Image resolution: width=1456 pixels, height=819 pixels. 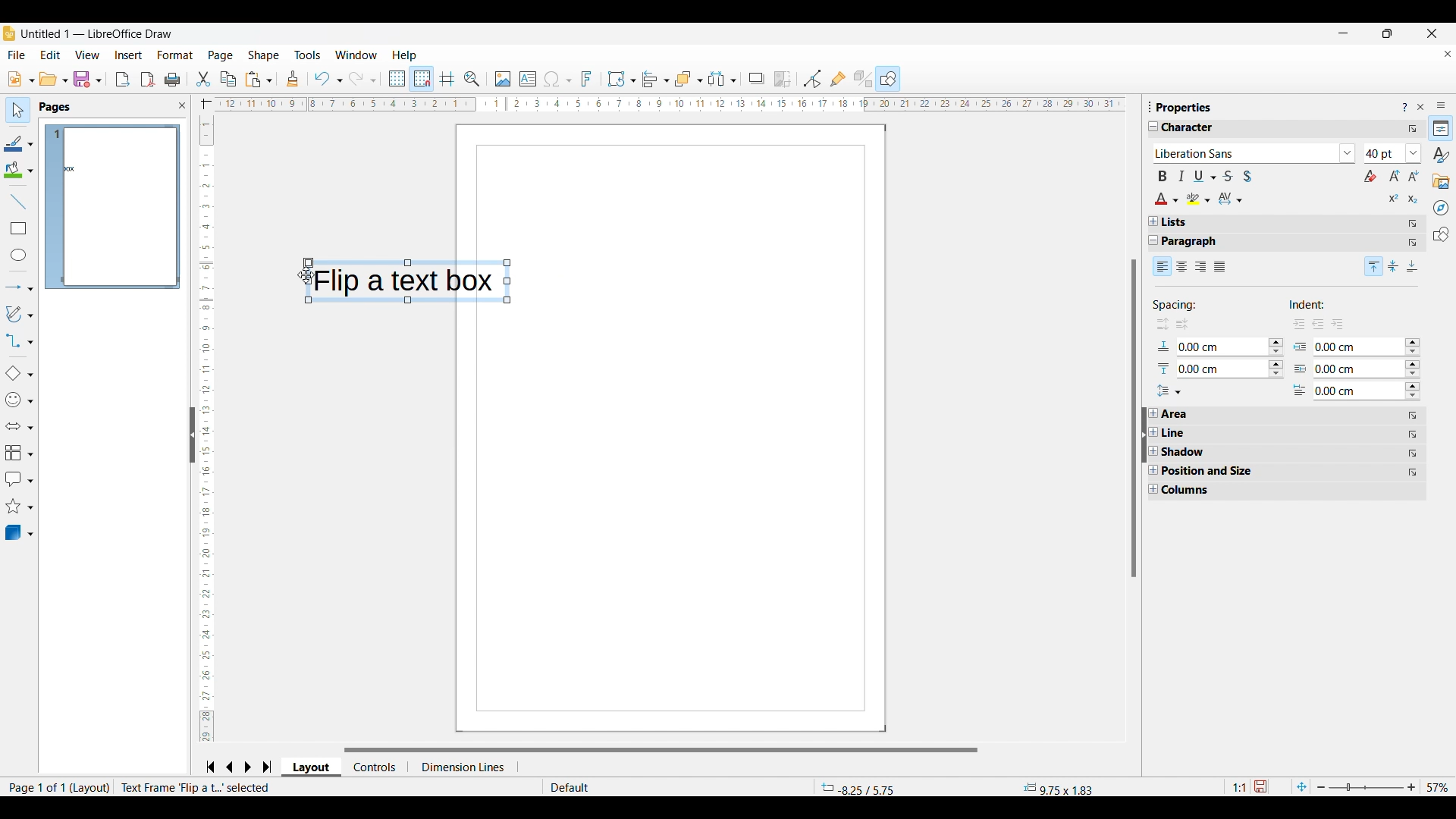 I want to click on Shadow property, so click(x=1207, y=452).